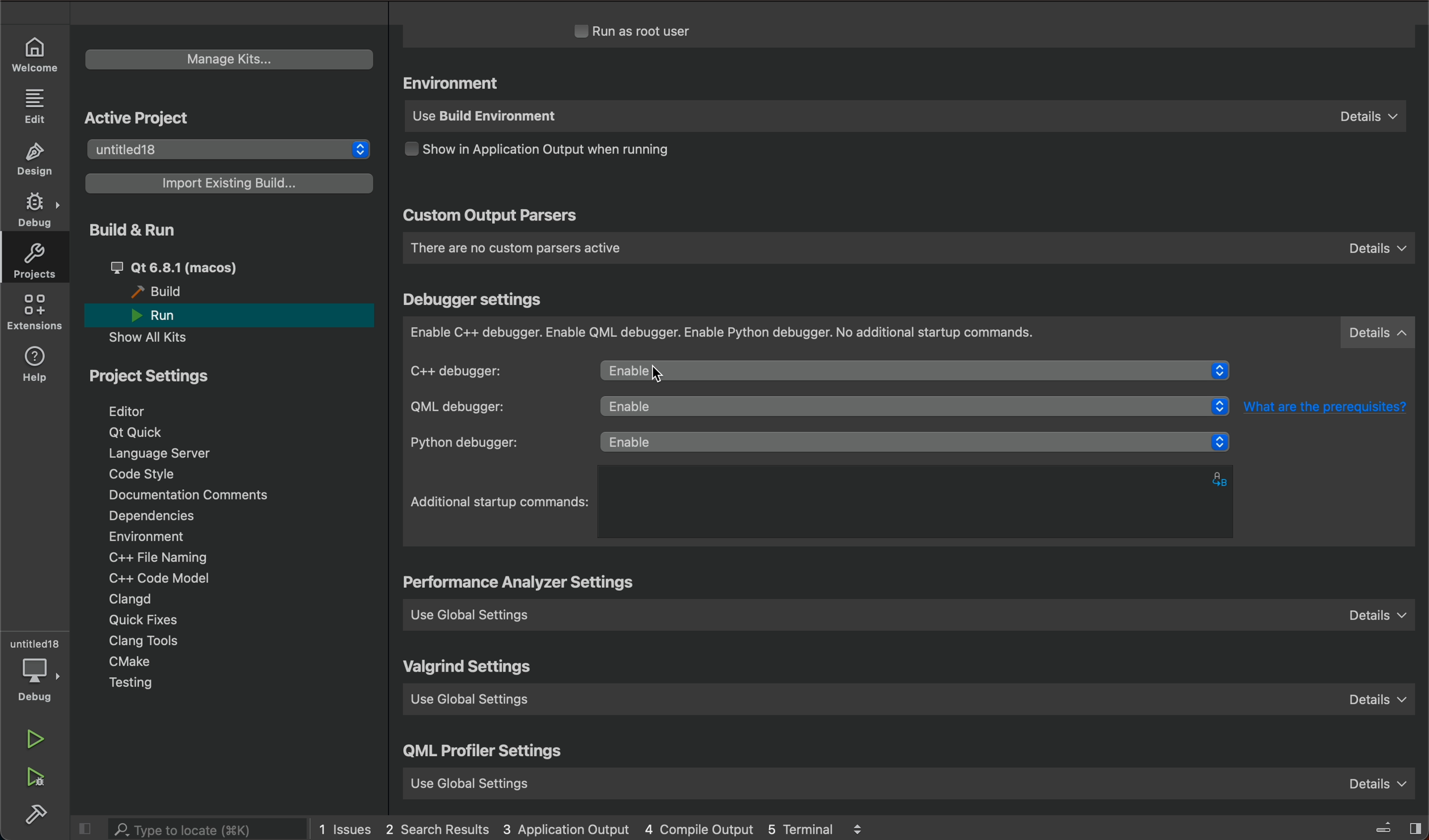  I want to click on run, so click(35, 738).